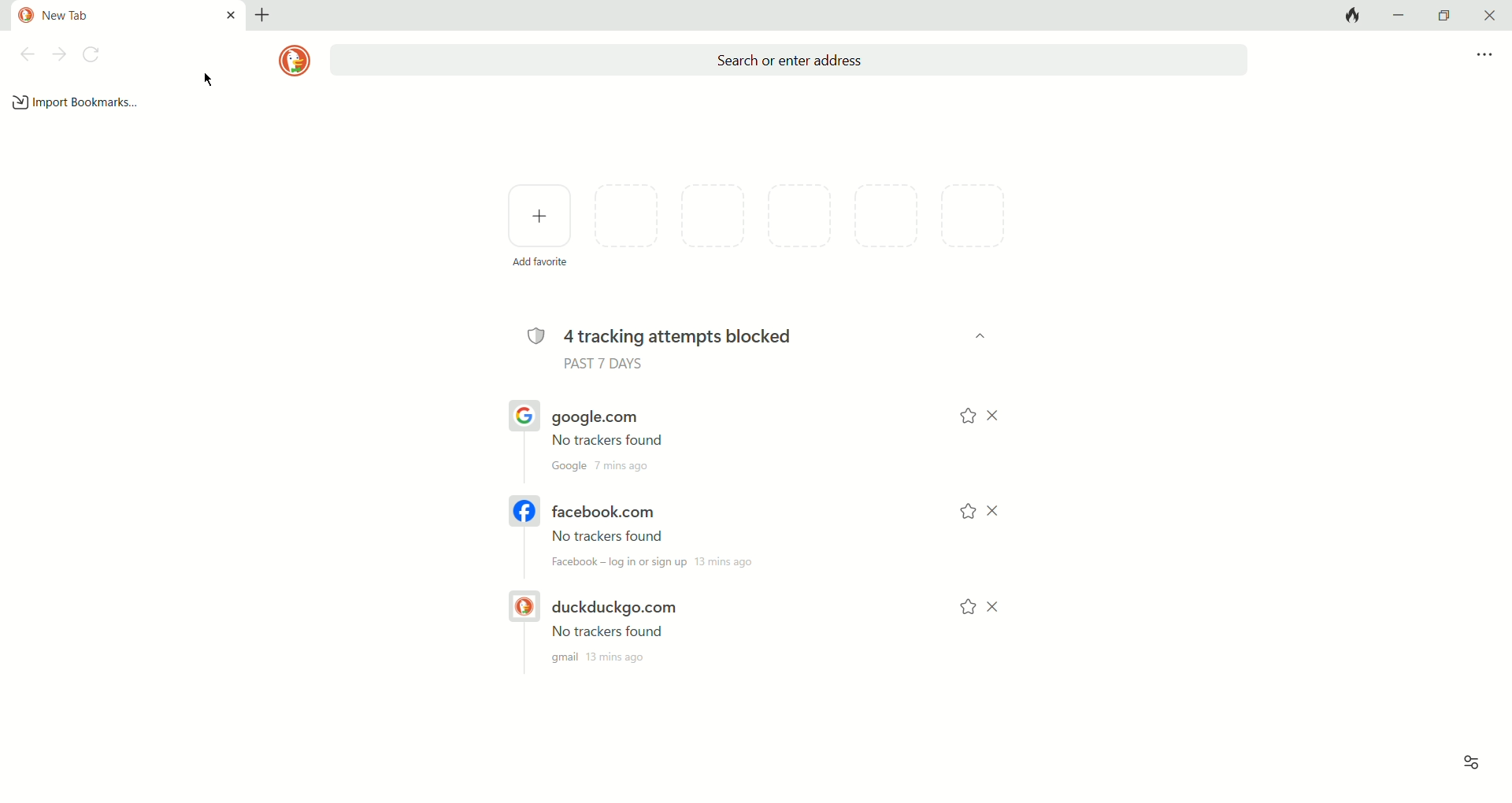 The image size is (1512, 803). I want to click on CLOSE , so click(1000, 605).